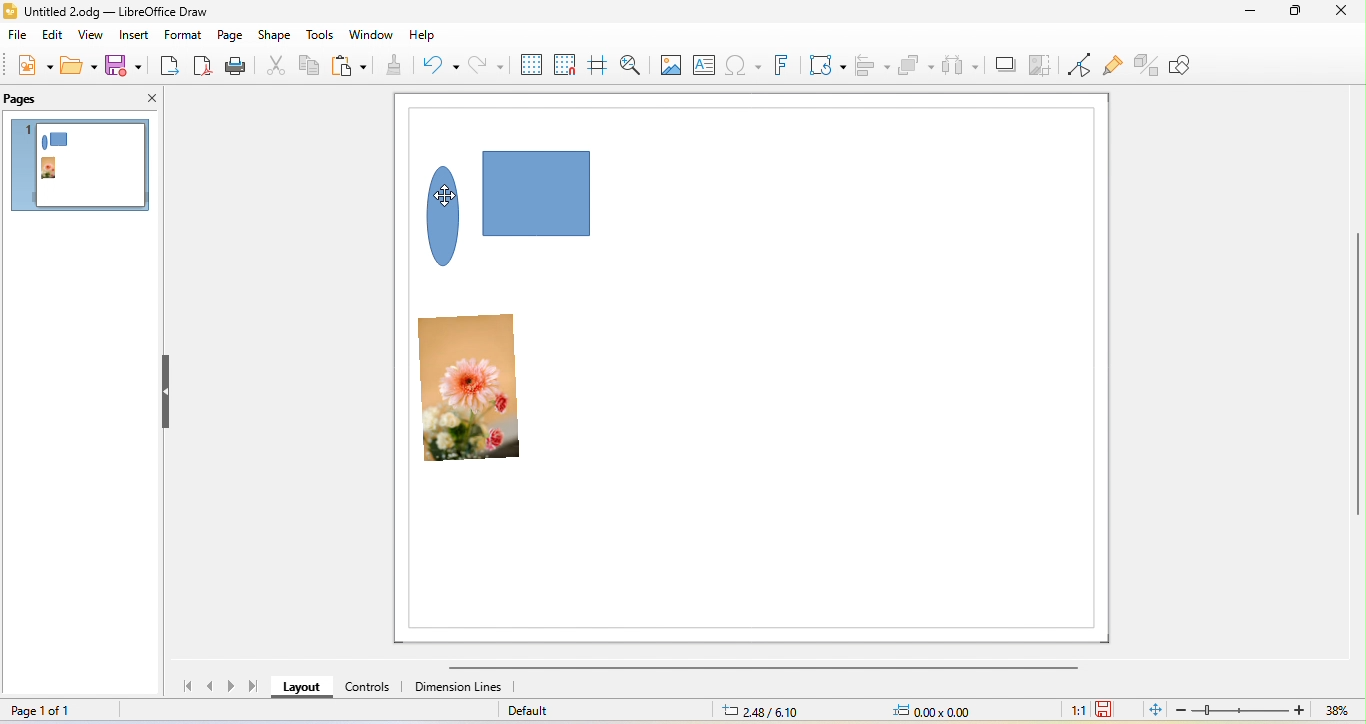 This screenshot has height=724, width=1366. What do you see at coordinates (400, 63) in the screenshot?
I see `clone formatting` at bounding box center [400, 63].